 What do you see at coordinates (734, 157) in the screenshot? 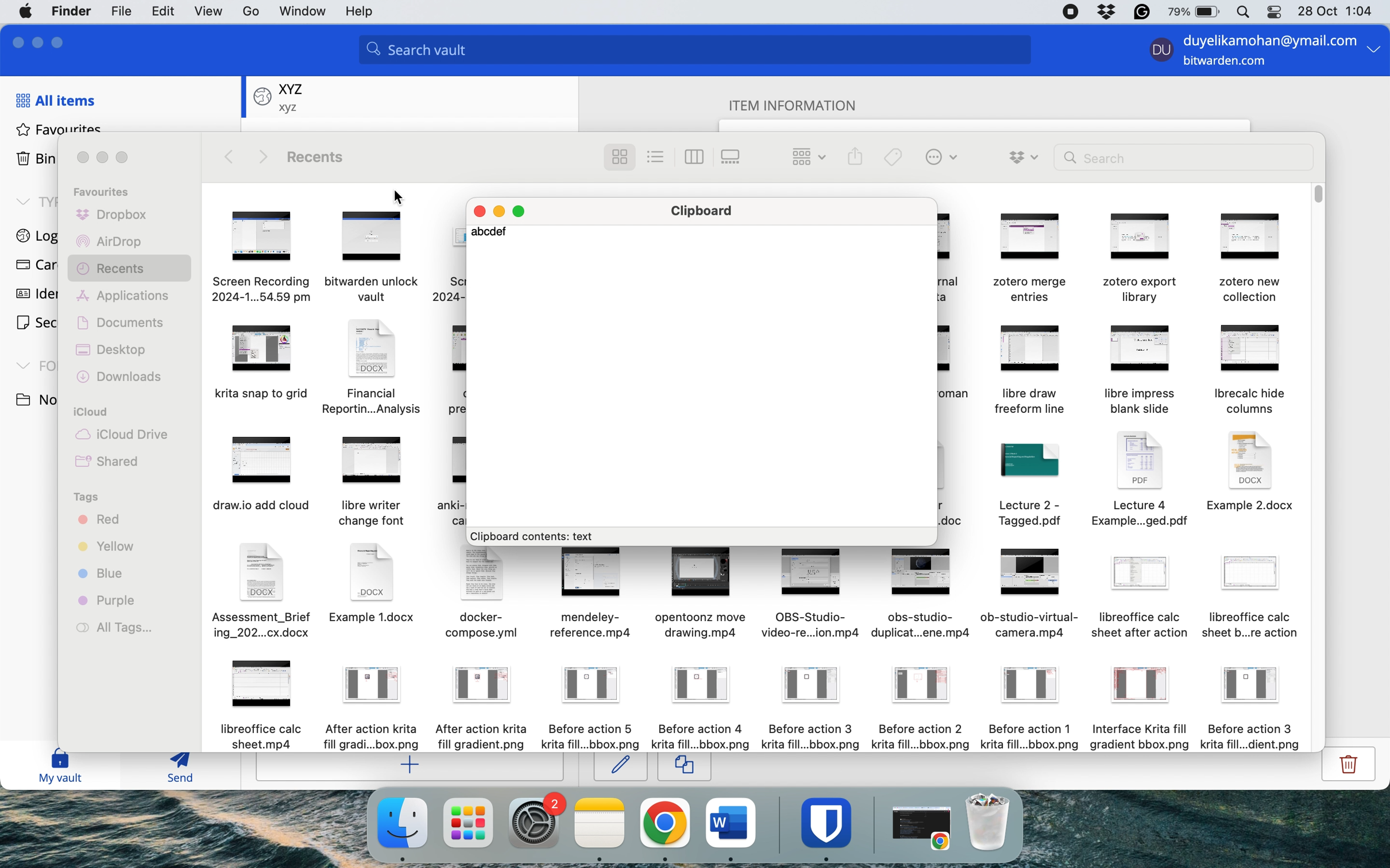
I see `show items as gallery` at bounding box center [734, 157].